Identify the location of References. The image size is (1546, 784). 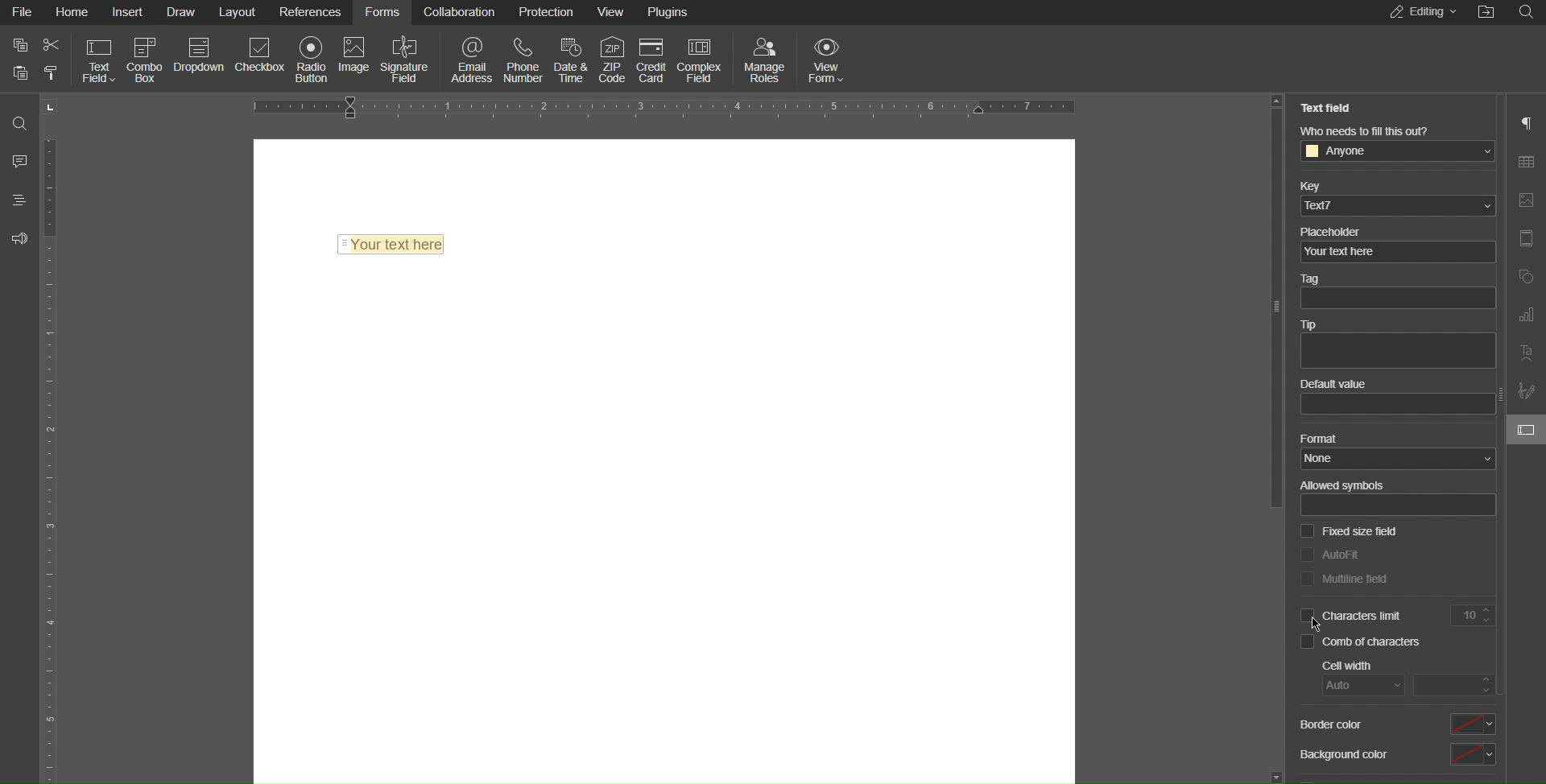
(312, 12).